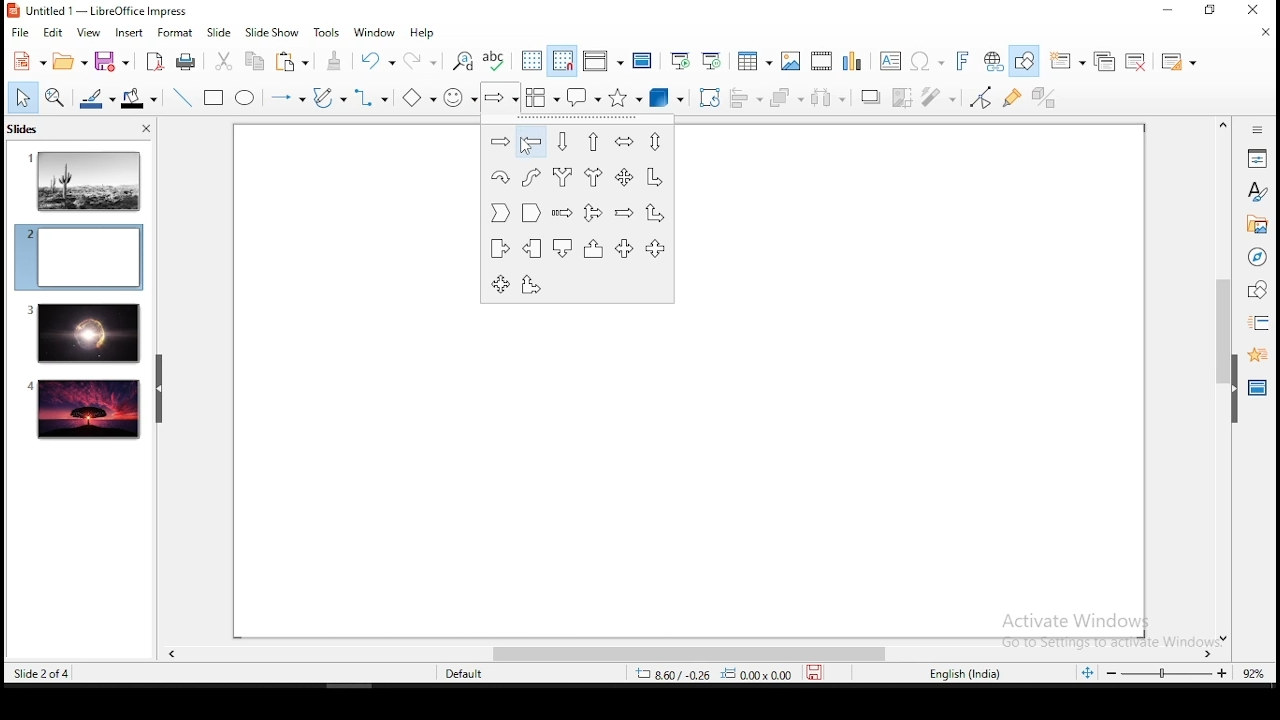 Image resolution: width=1280 pixels, height=720 pixels. What do you see at coordinates (623, 248) in the screenshot?
I see `left and right arrow callout` at bounding box center [623, 248].